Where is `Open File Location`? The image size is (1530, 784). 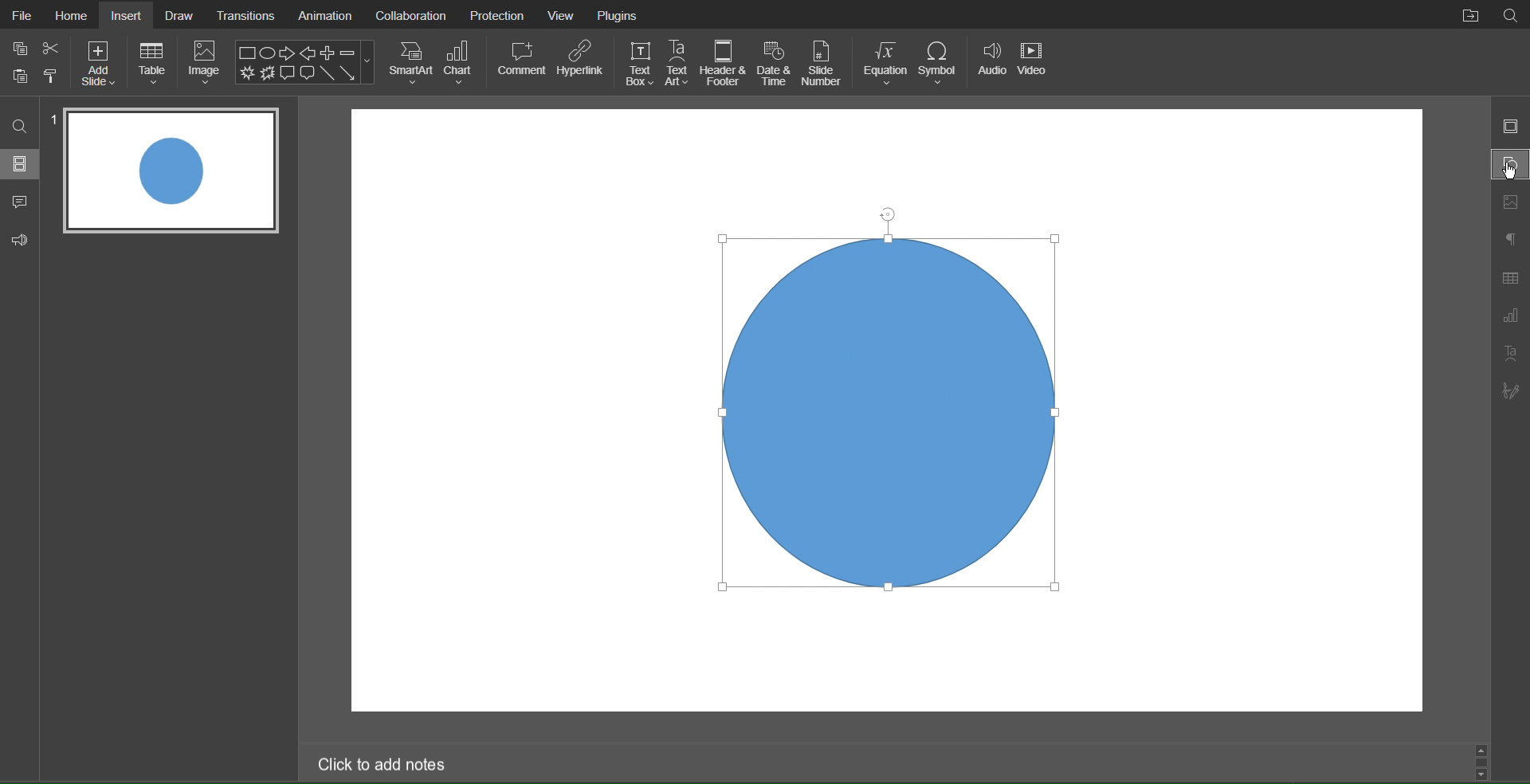 Open File Location is located at coordinates (1470, 15).